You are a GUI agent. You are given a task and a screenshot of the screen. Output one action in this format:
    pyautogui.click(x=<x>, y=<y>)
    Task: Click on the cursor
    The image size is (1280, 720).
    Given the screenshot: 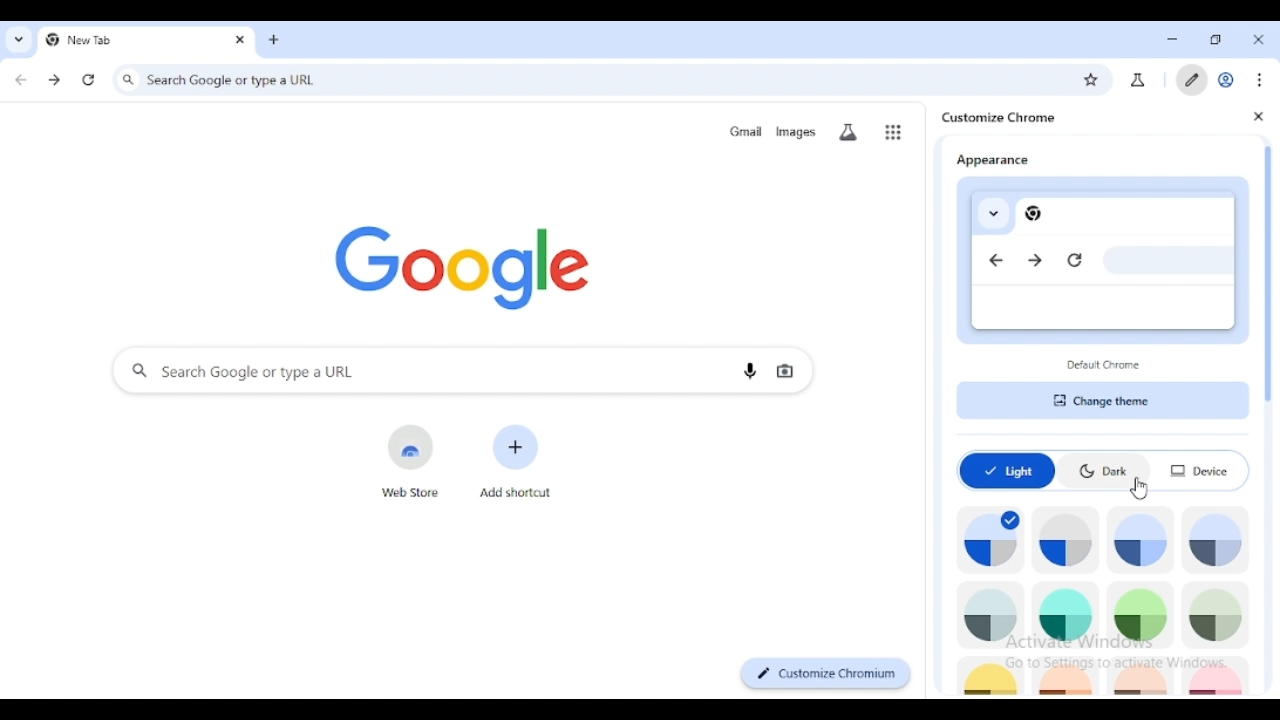 What is the action you would take?
    pyautogui.click(x=1140, y=490)
    